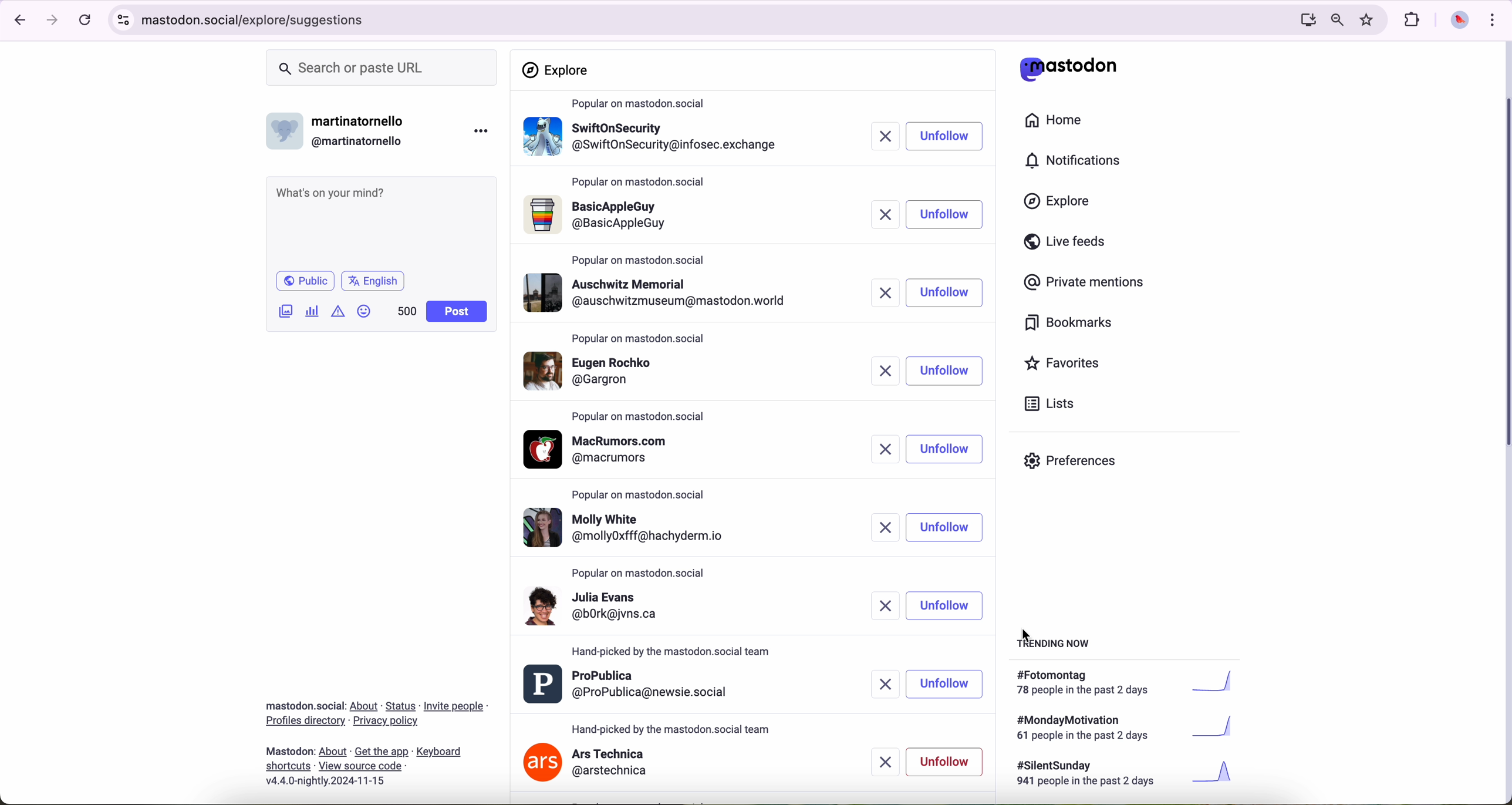 This screenshot has width=1512, height=805. What do you see at coordinates (1055, 642) in the screenshot?
I see `trending now` at bounding box center [1055, 642].